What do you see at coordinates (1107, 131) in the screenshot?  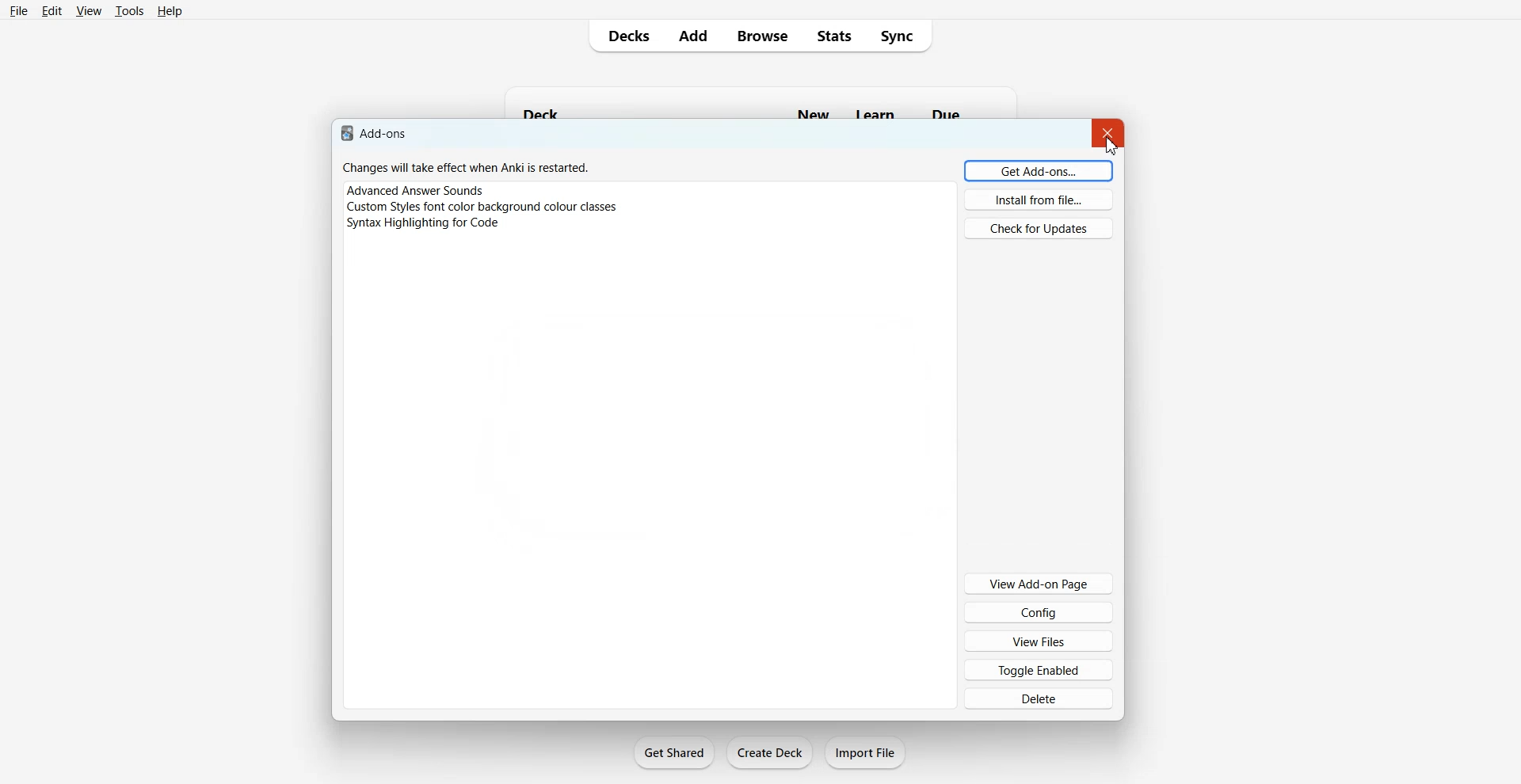 I see `Close` at bounding box center [1107, 131].